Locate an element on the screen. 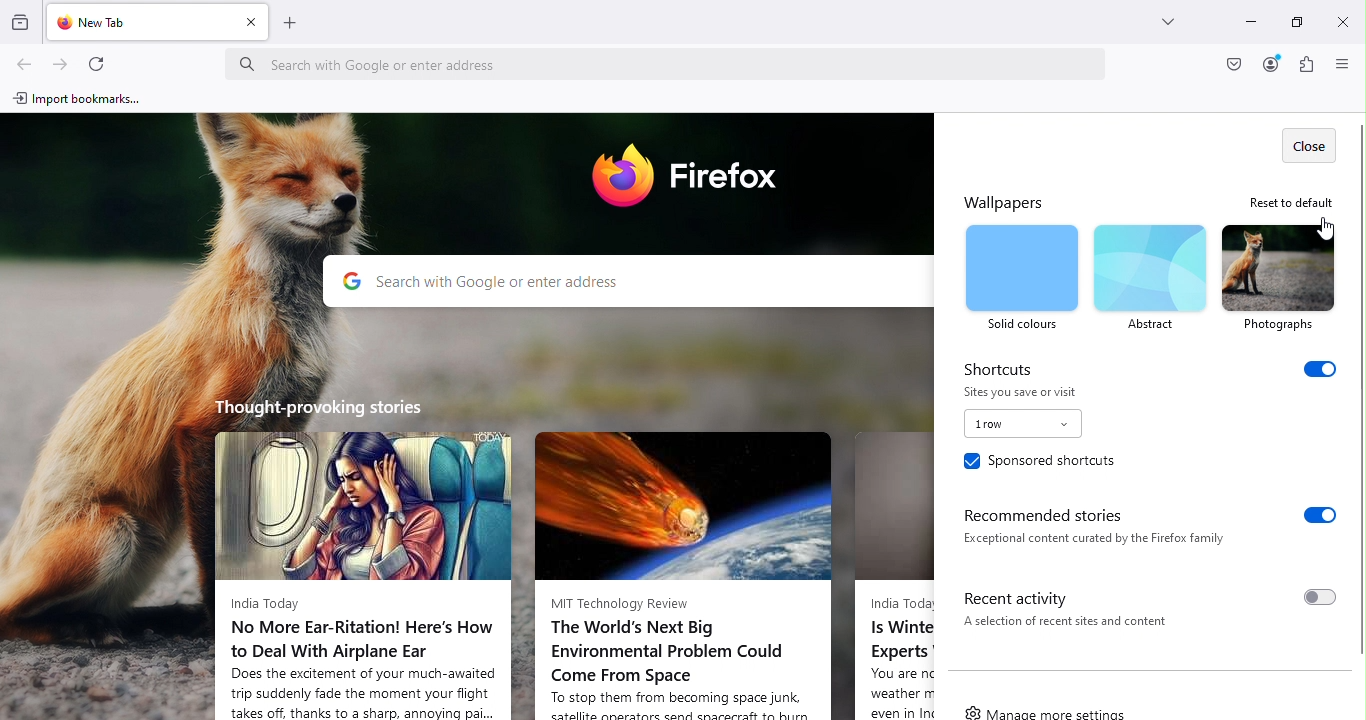  Resent activity is located at coordinates (1143, 606).